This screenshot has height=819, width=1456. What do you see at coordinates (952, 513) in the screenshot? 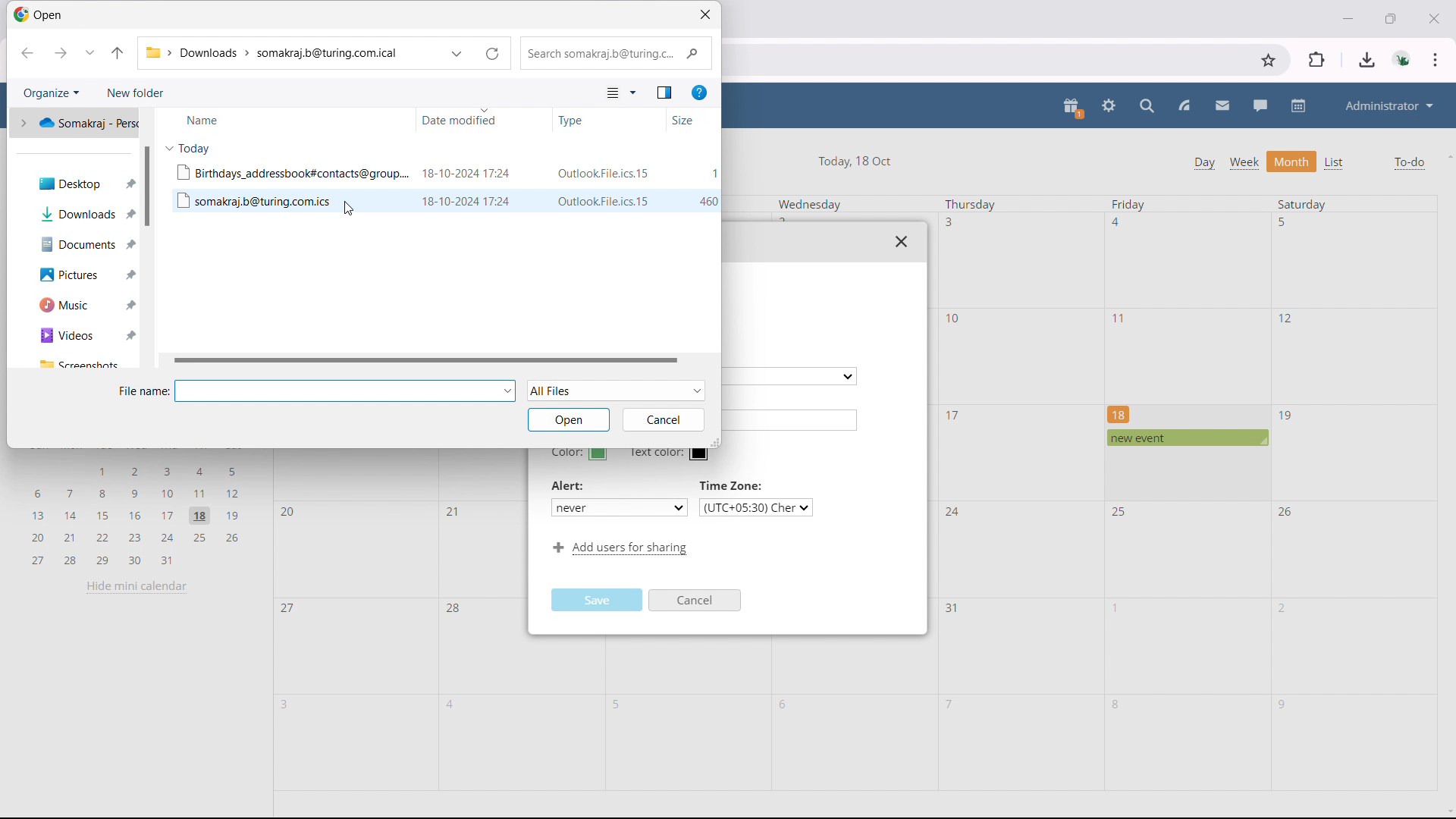
I see `24` at bounding box center [952, 513].